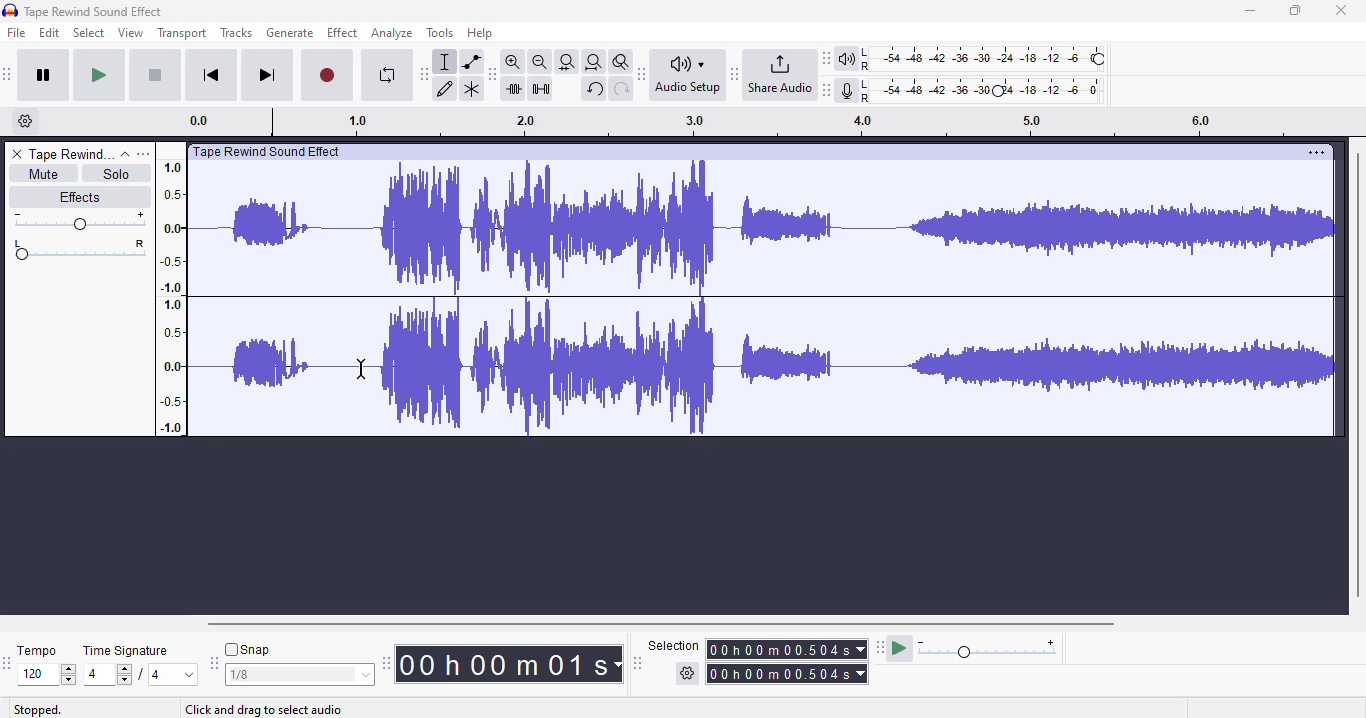 The height and width of the screenshot is (718, 1366). What do you see at coordinates (327, 76) in the screenshot?
I see `record` at bounding box center [327, 76].